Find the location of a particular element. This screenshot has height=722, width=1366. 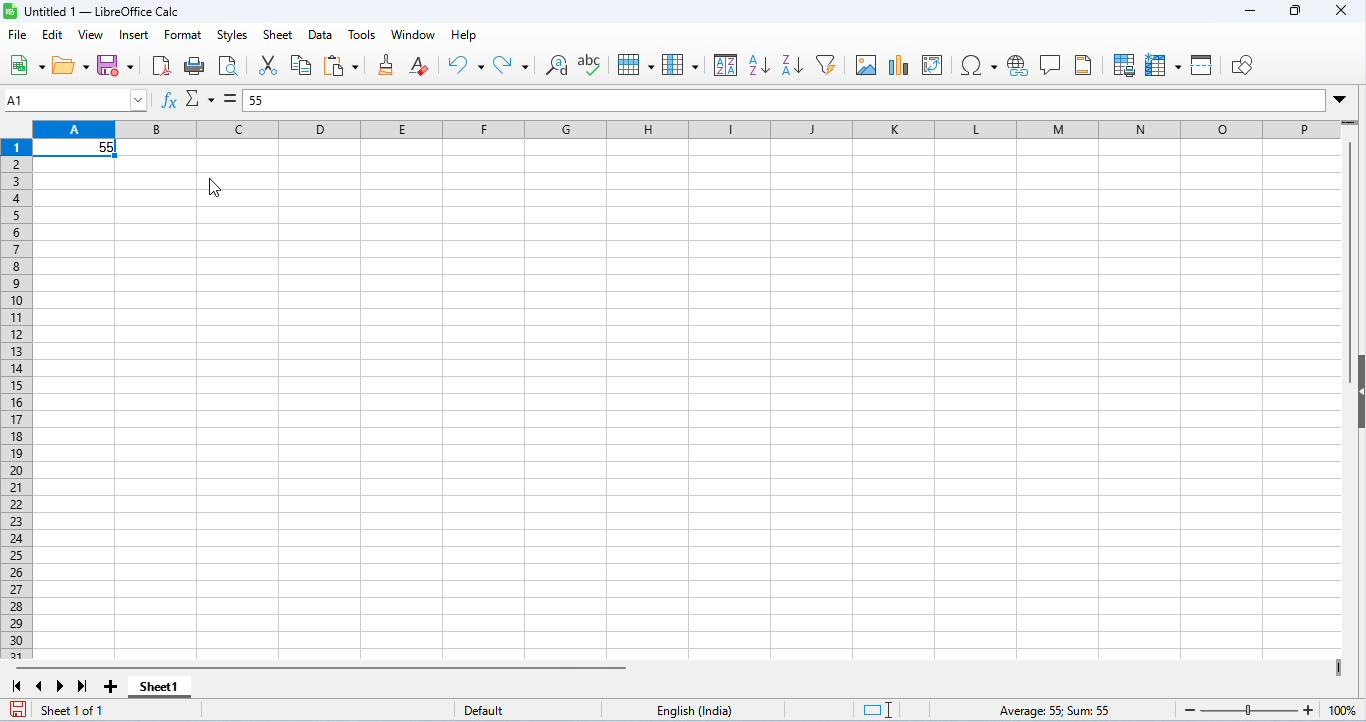

data is located at coordinates (320, 37).